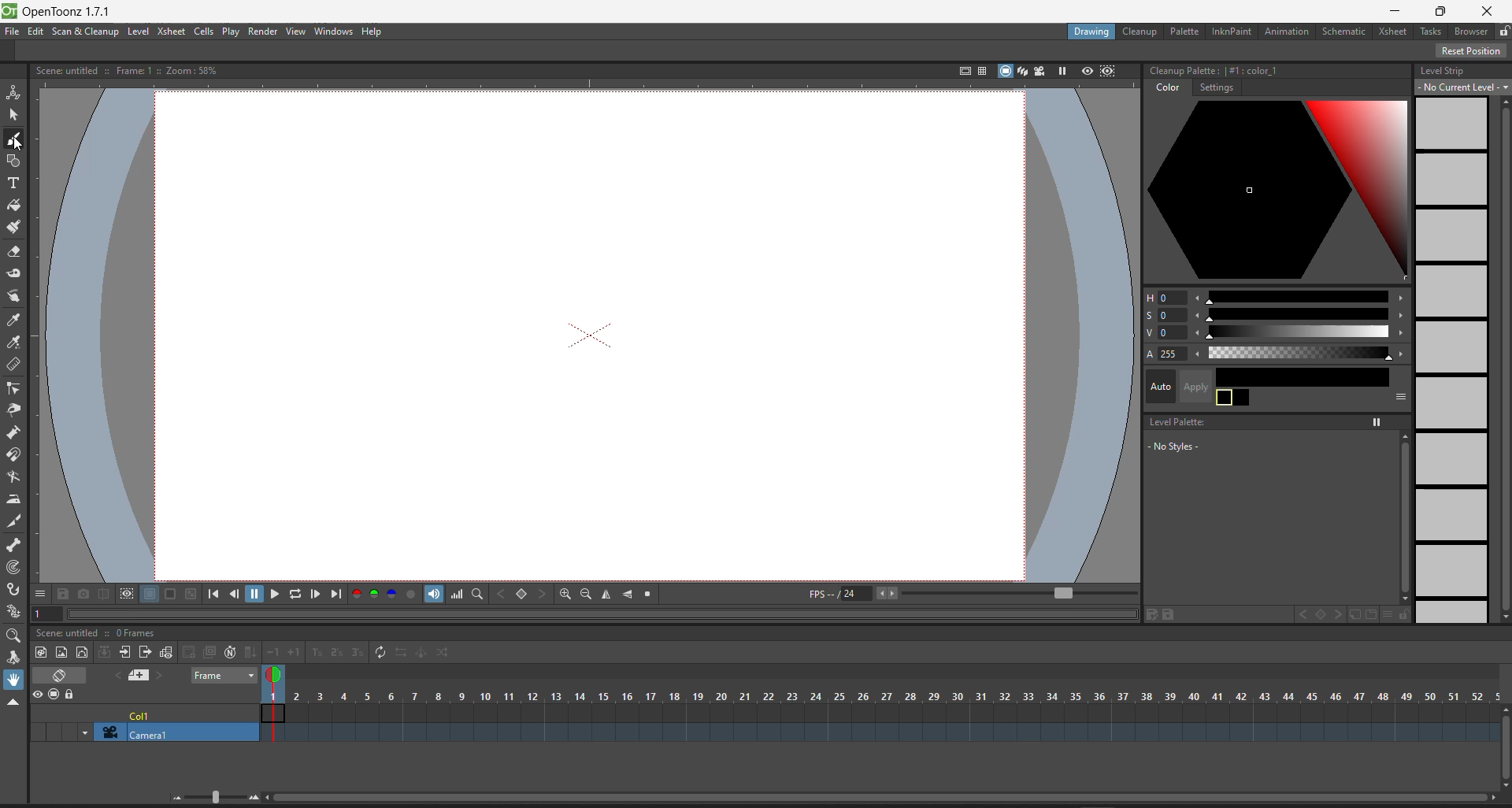 The image size is (1512, 808). What do you see at coordinates (1140, 32) in the screenshot?
I see `cleanup` at bounding box center [1140, 32].